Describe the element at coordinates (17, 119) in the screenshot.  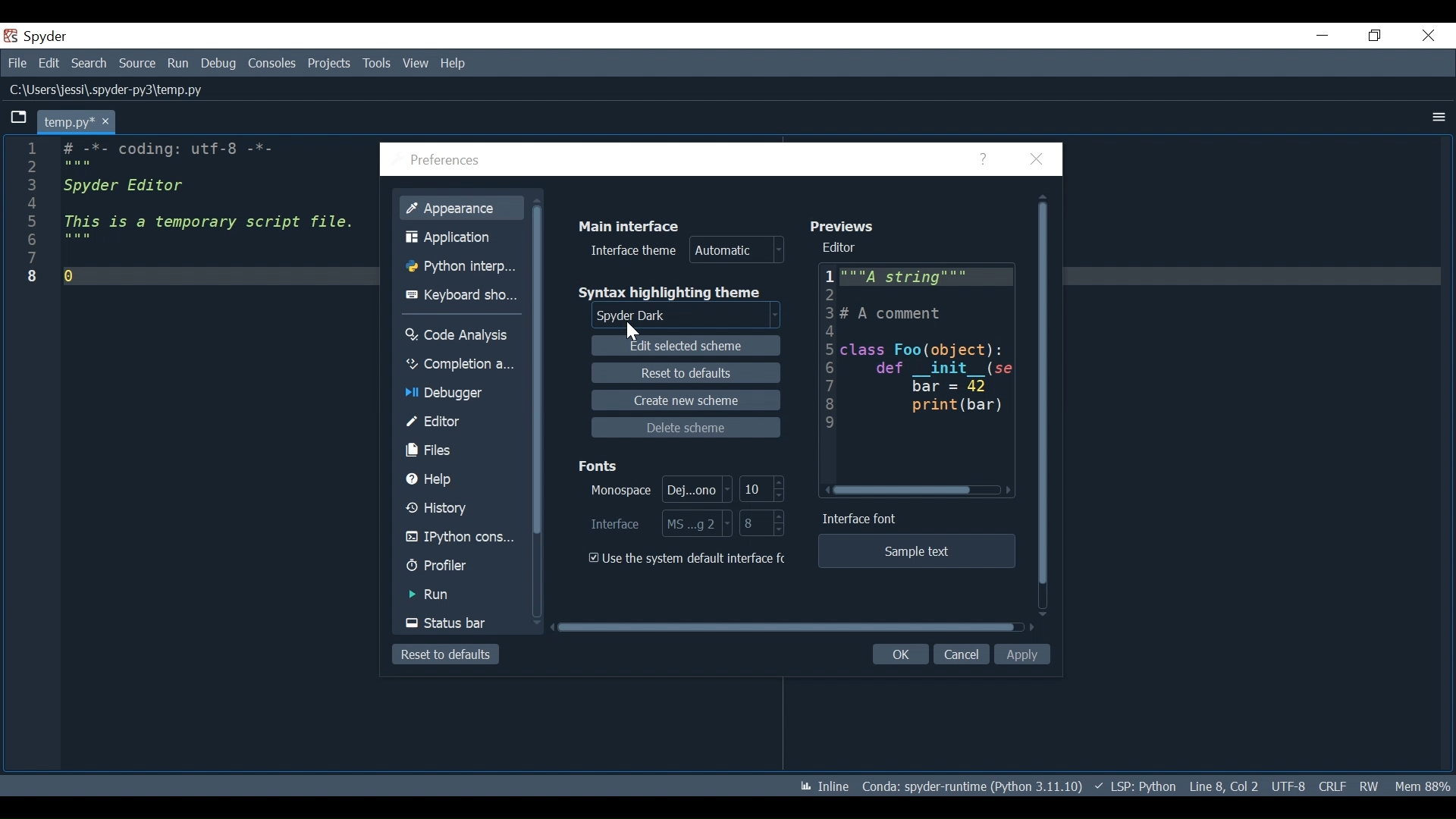
I see `Browse Tab` at that location.